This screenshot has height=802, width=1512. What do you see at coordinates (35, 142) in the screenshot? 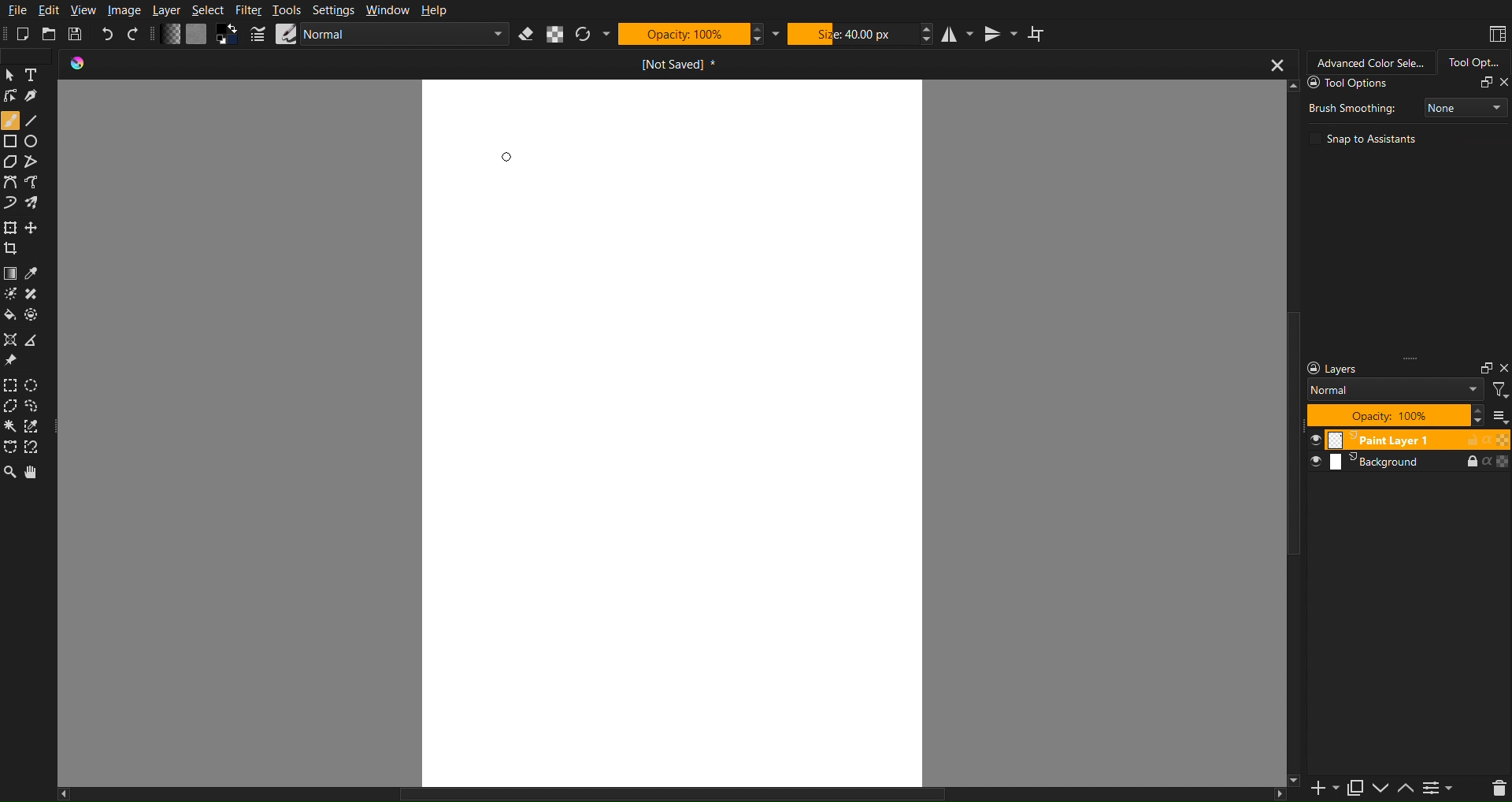
I see `Circle` at bounding box center [35, 142].